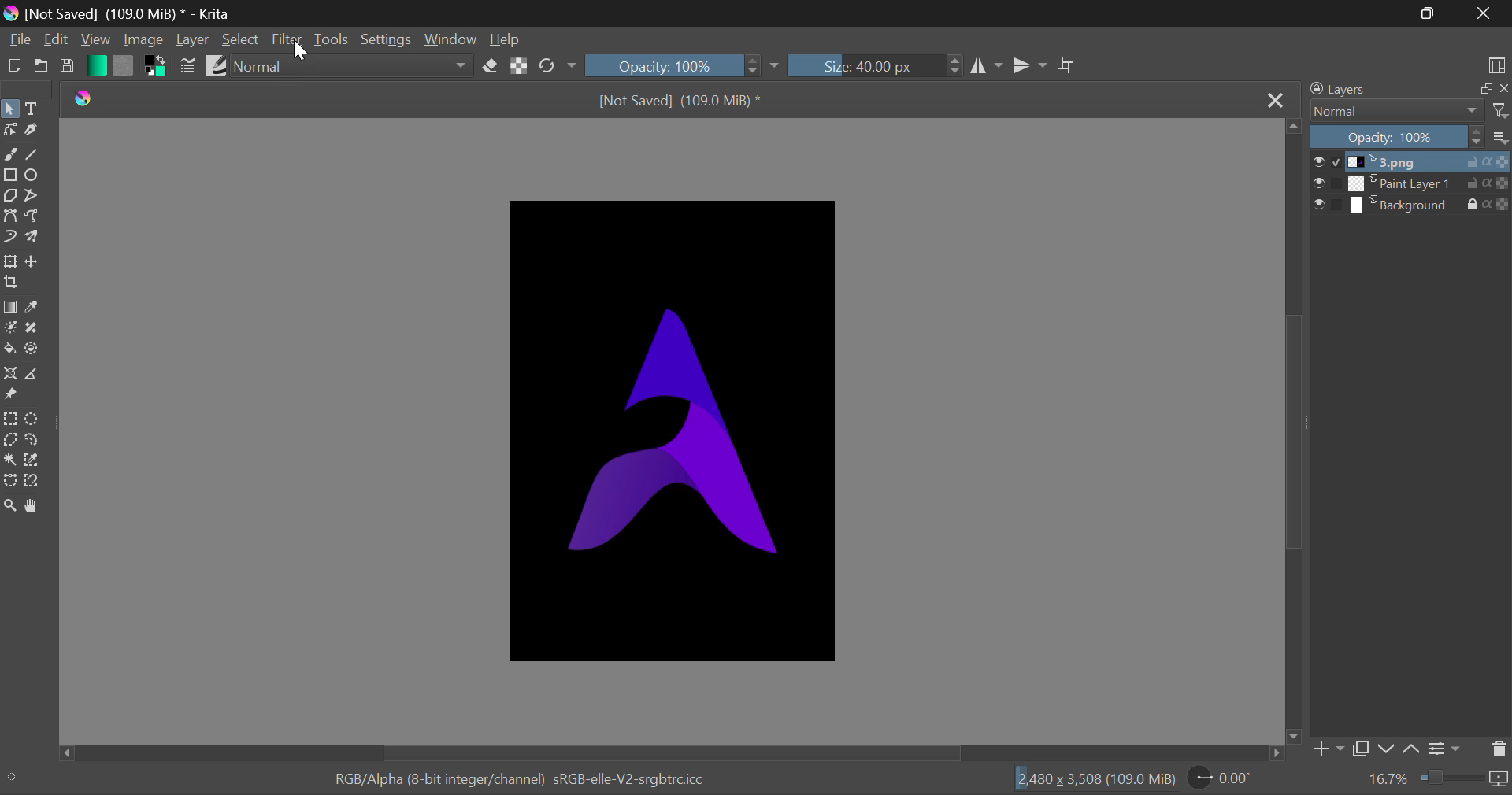 This screenshot has height=795, width=1512. Describe the element at coordinates (189, 66) in the screenshot. I see `Brush Settings` at that location.